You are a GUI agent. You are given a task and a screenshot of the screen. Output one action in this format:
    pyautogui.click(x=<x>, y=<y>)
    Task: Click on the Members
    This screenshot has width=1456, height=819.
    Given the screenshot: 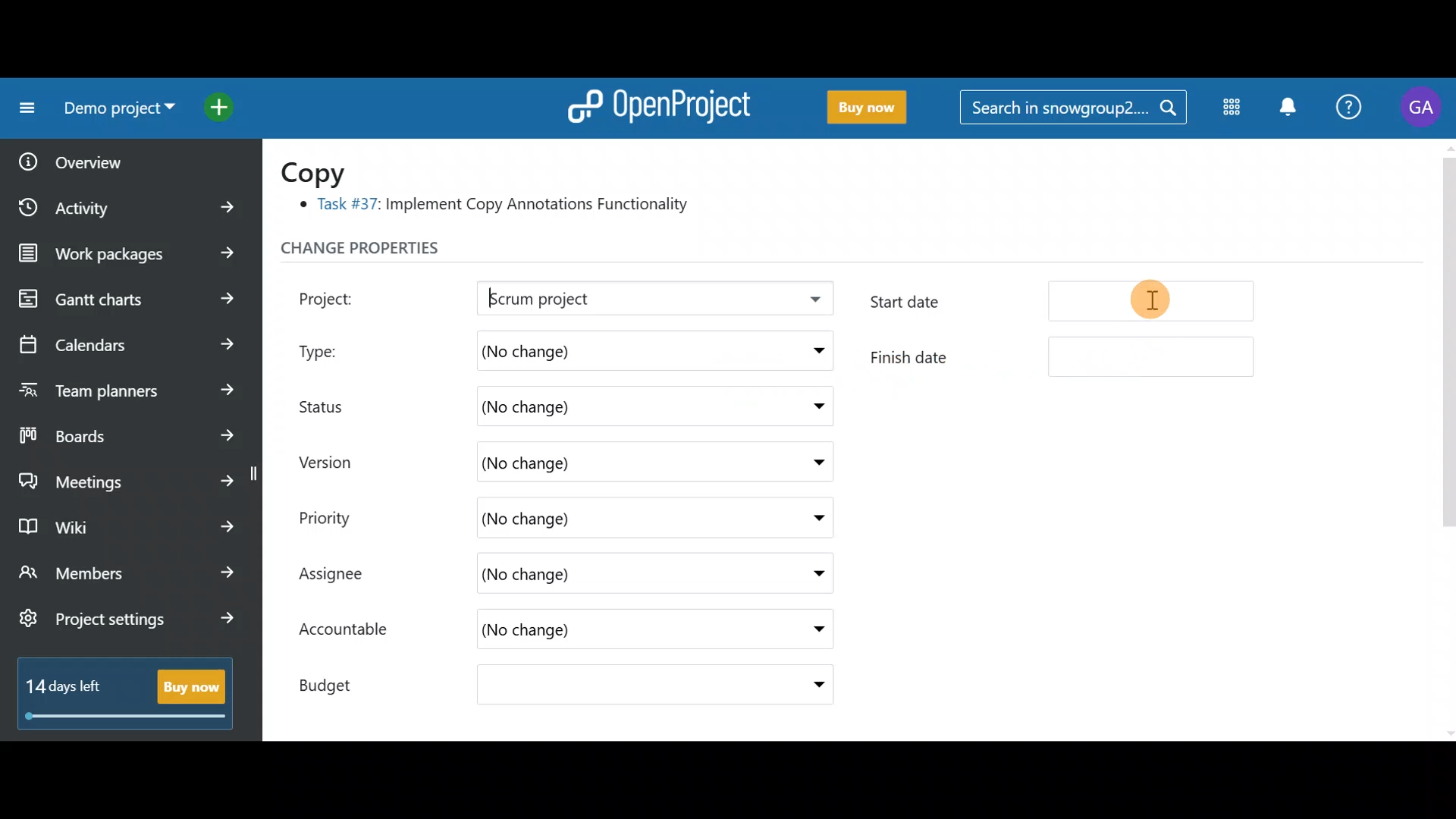 What is the action you would take?
    pyautogui.click(x=127, y=575)
    